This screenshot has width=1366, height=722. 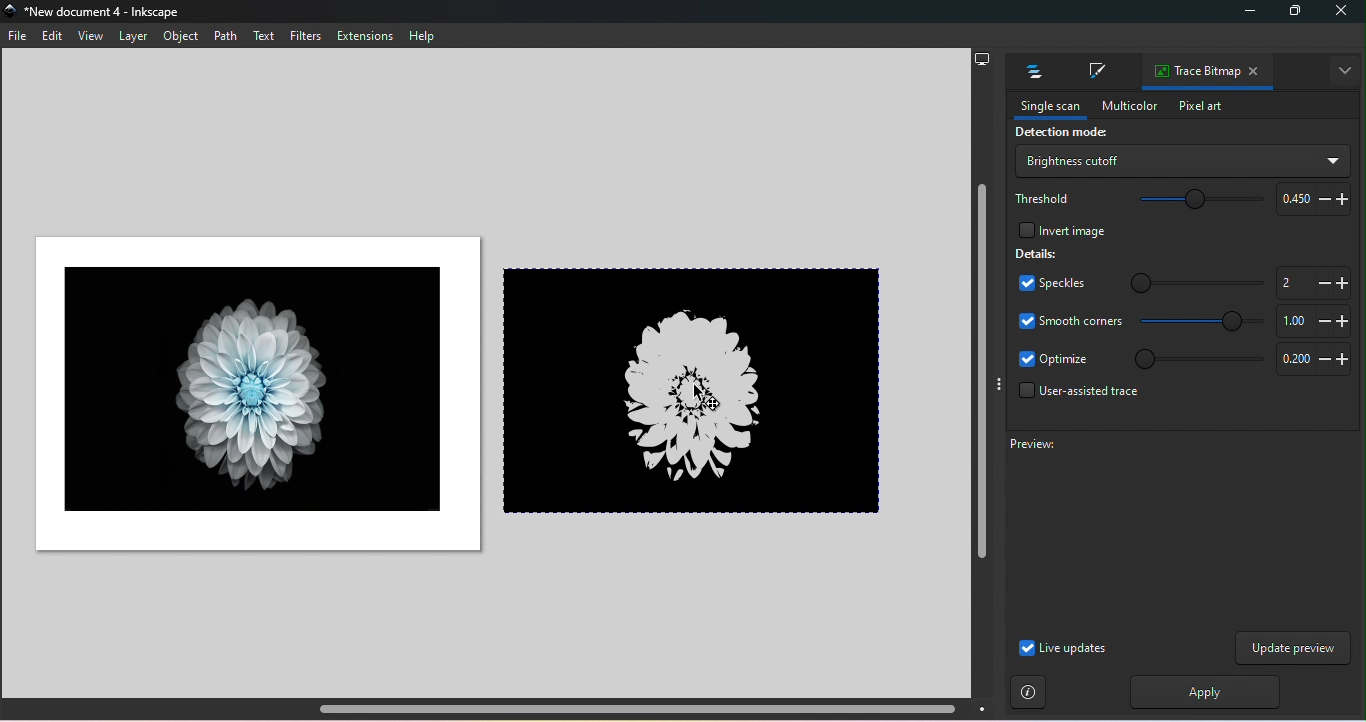 What do you see at coordinates (422, 36) in the screenshot?
I see `Help` at bounding box center [422, 36].